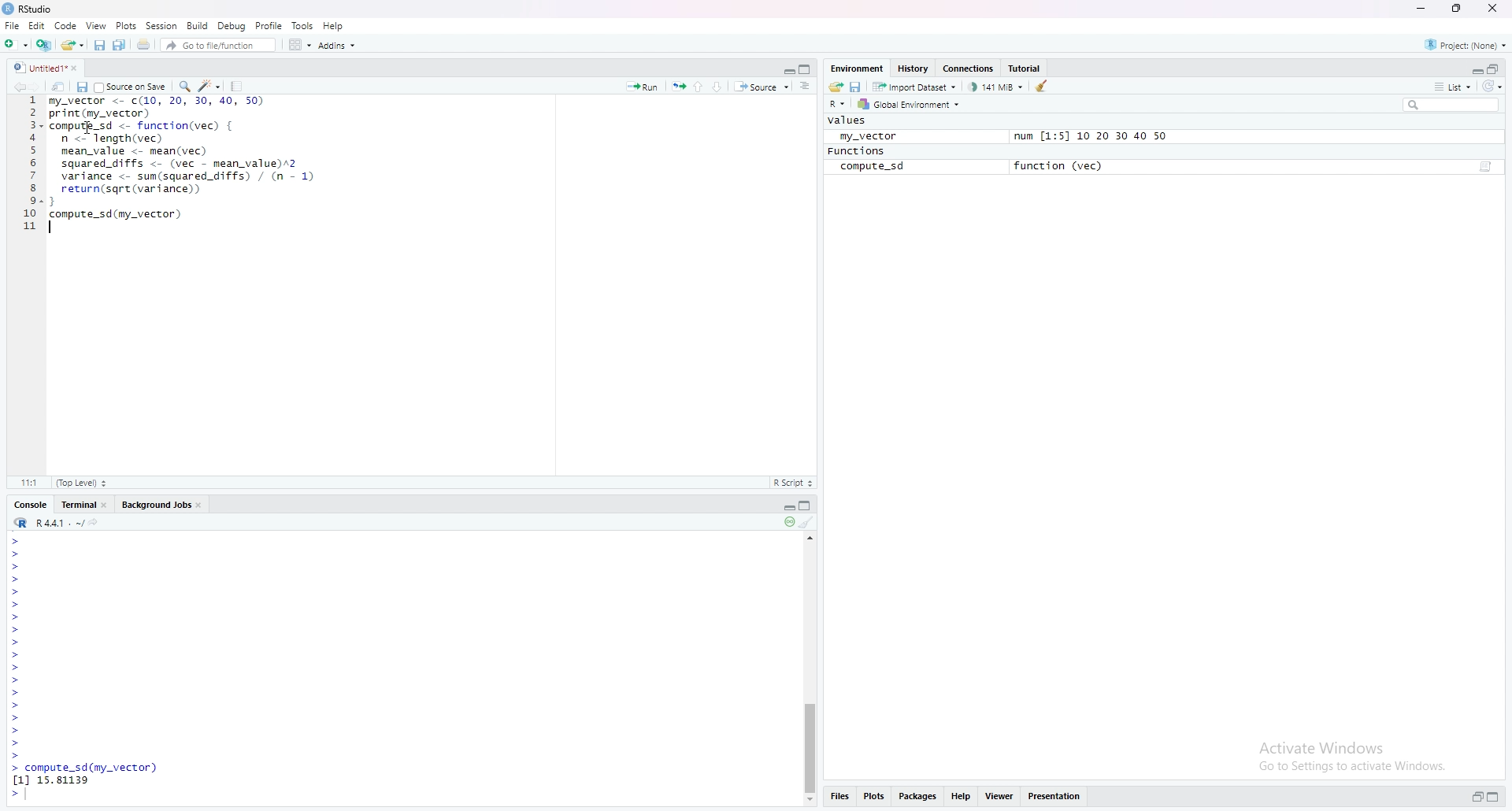 Image resolution: width=1512 pixels, height=811 pixels. What do you see at coordinates (334, 24) in the screenshot?
I see `Help` at bounding box center [334, 24].